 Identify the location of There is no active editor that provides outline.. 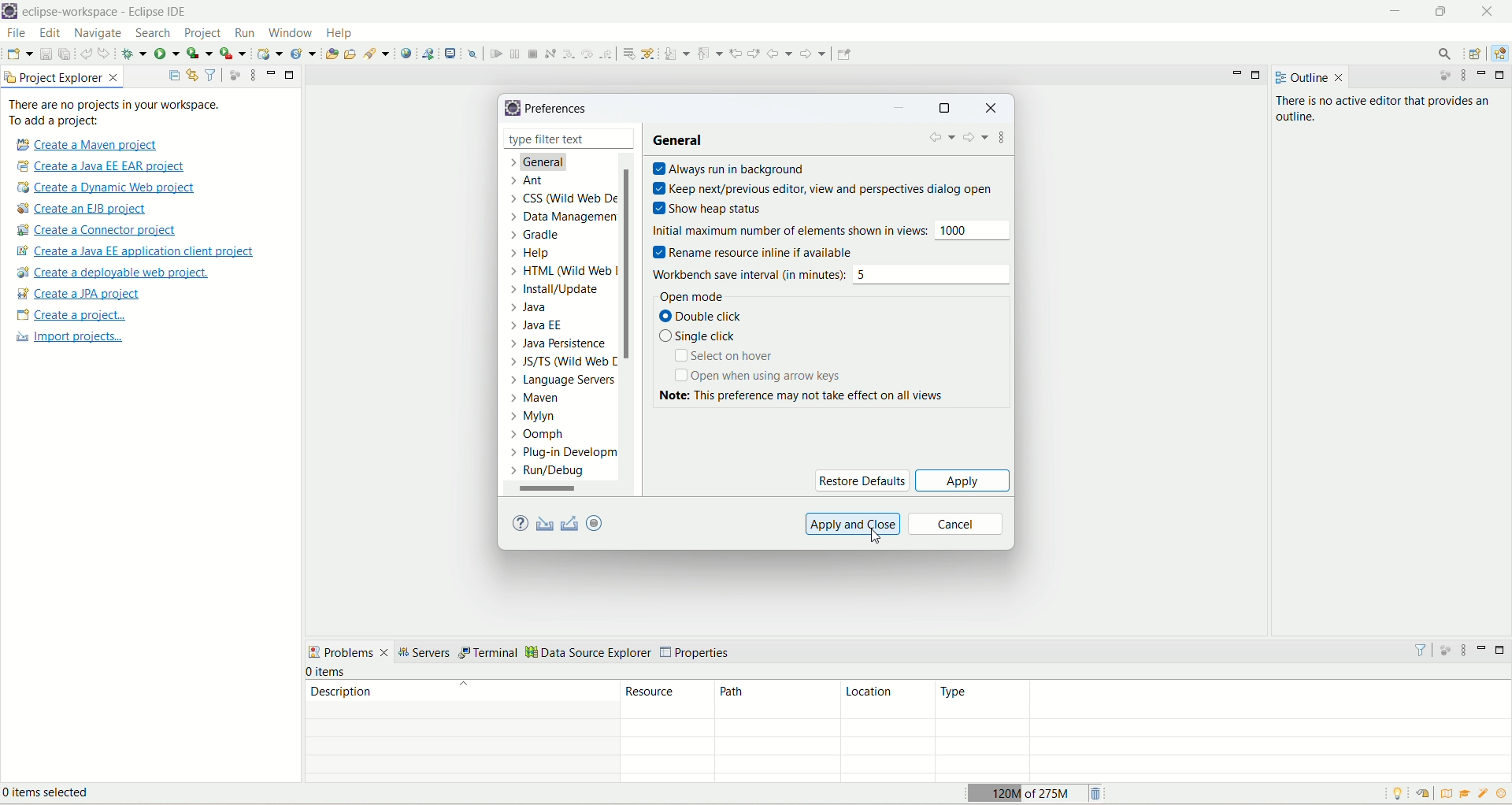
(1388, 110).